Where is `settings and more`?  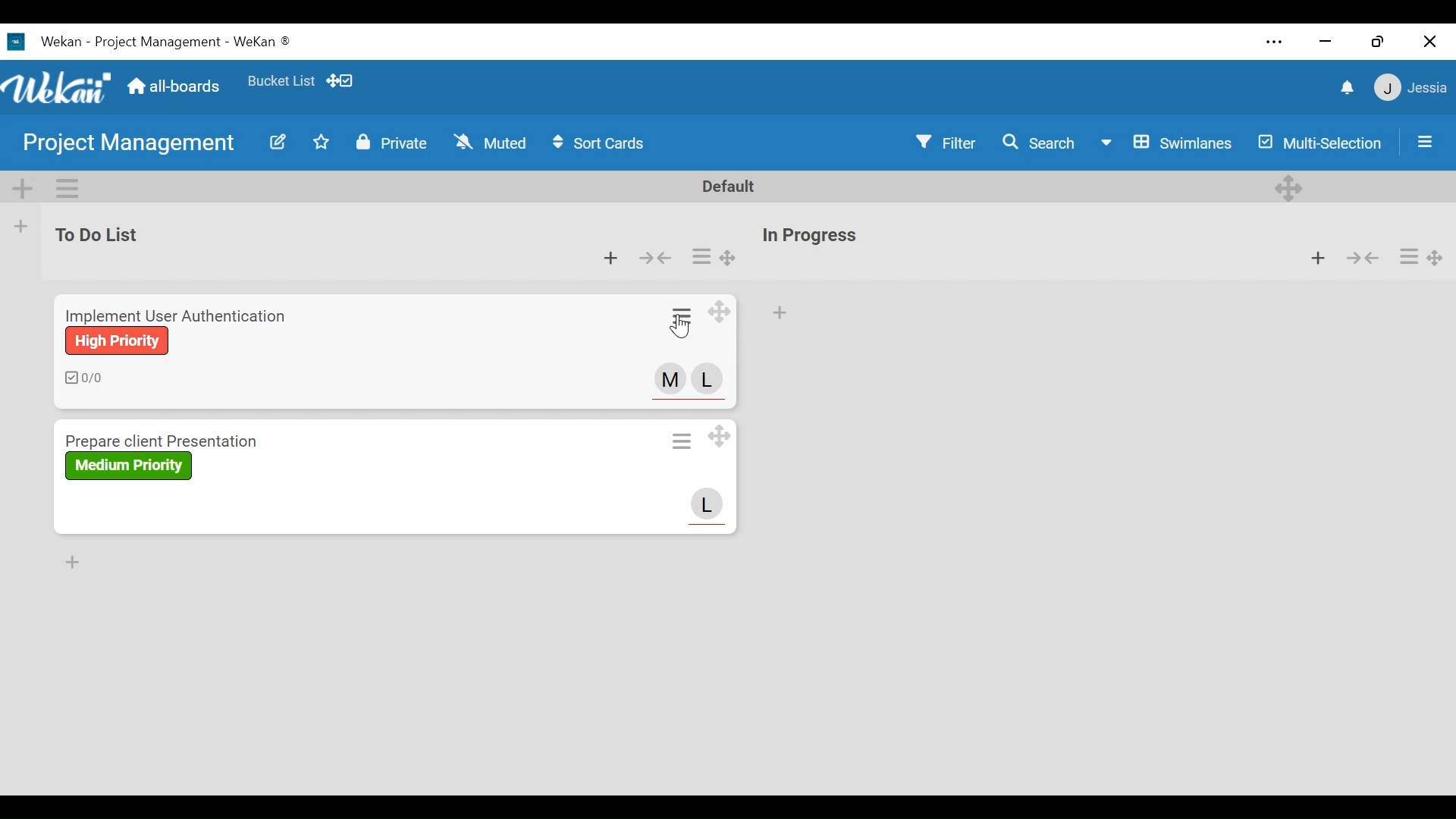 settings and more is located at coordinates (1273, 42).